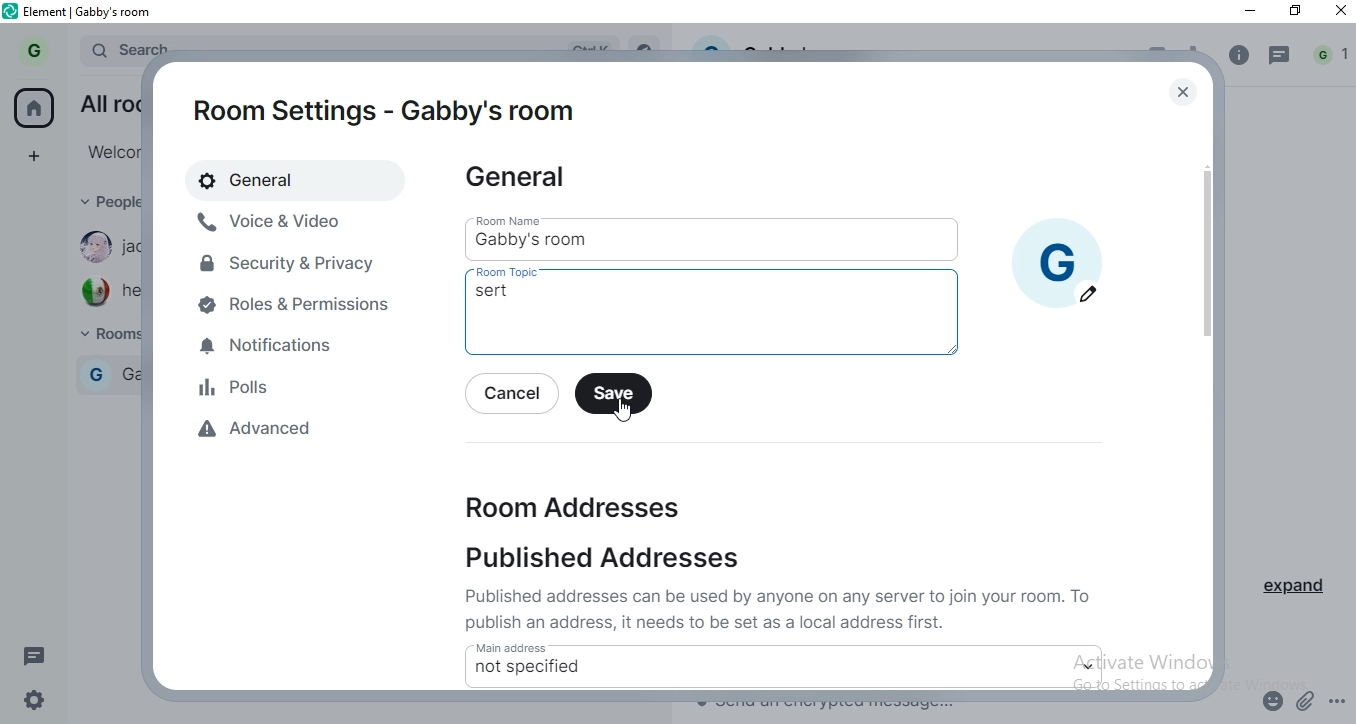 The image size is (1356, 724). Describe the element at coordinates (106, 203) in the screenshot. I see `people` at that location.